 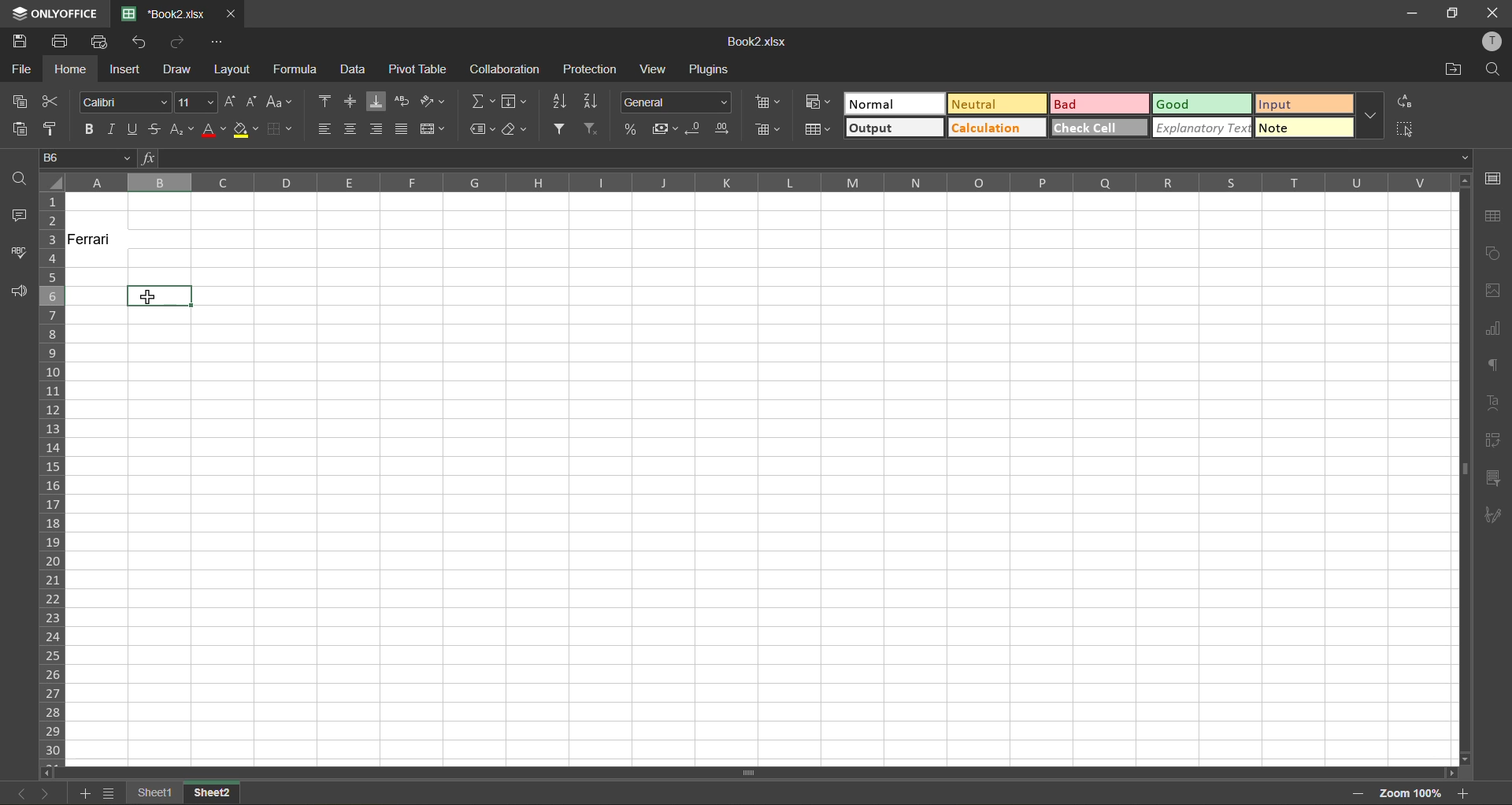 I want to click on align center, so click(x=352, y=129).